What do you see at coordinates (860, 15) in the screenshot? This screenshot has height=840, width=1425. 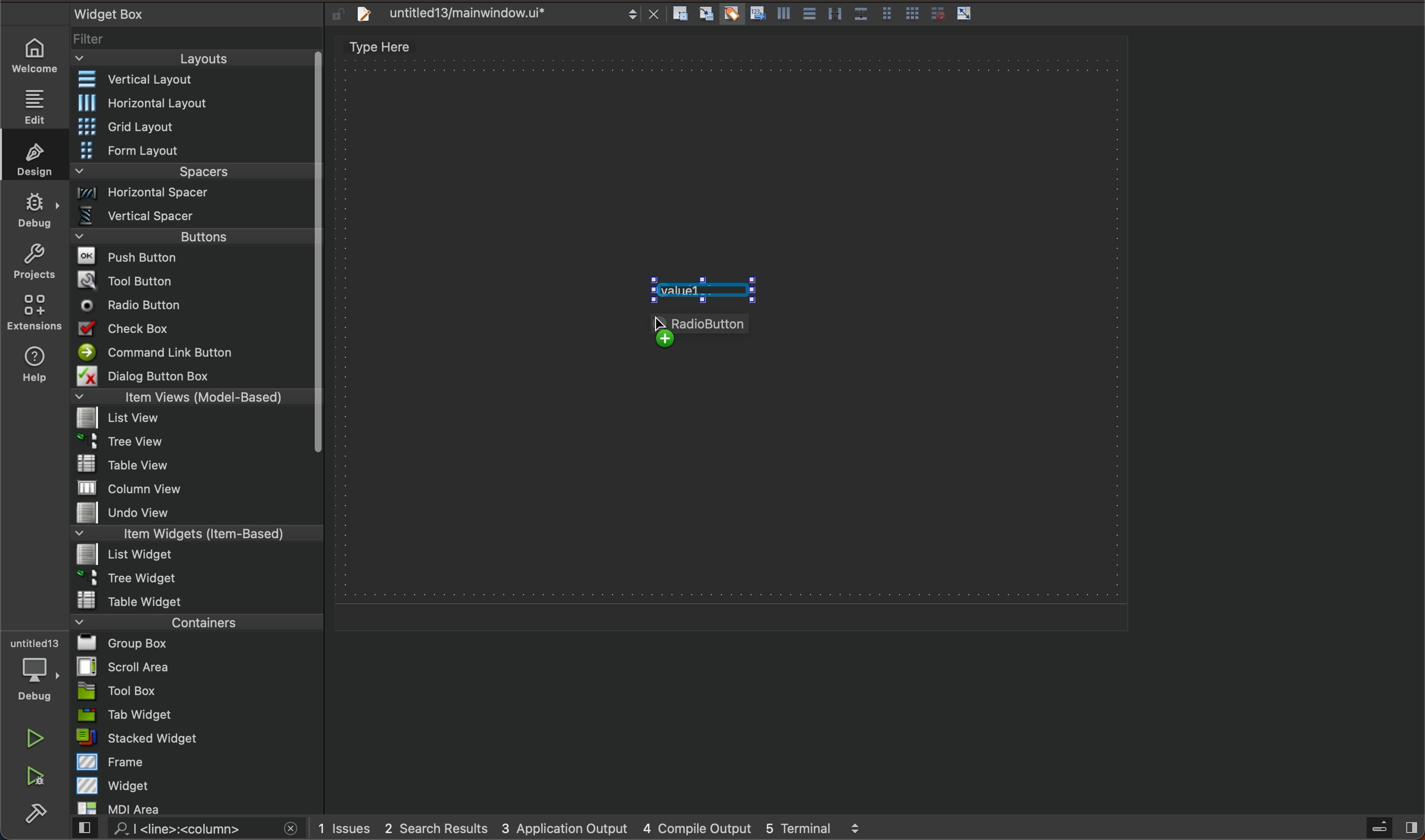 I see `` at bounding box center [860, 15].